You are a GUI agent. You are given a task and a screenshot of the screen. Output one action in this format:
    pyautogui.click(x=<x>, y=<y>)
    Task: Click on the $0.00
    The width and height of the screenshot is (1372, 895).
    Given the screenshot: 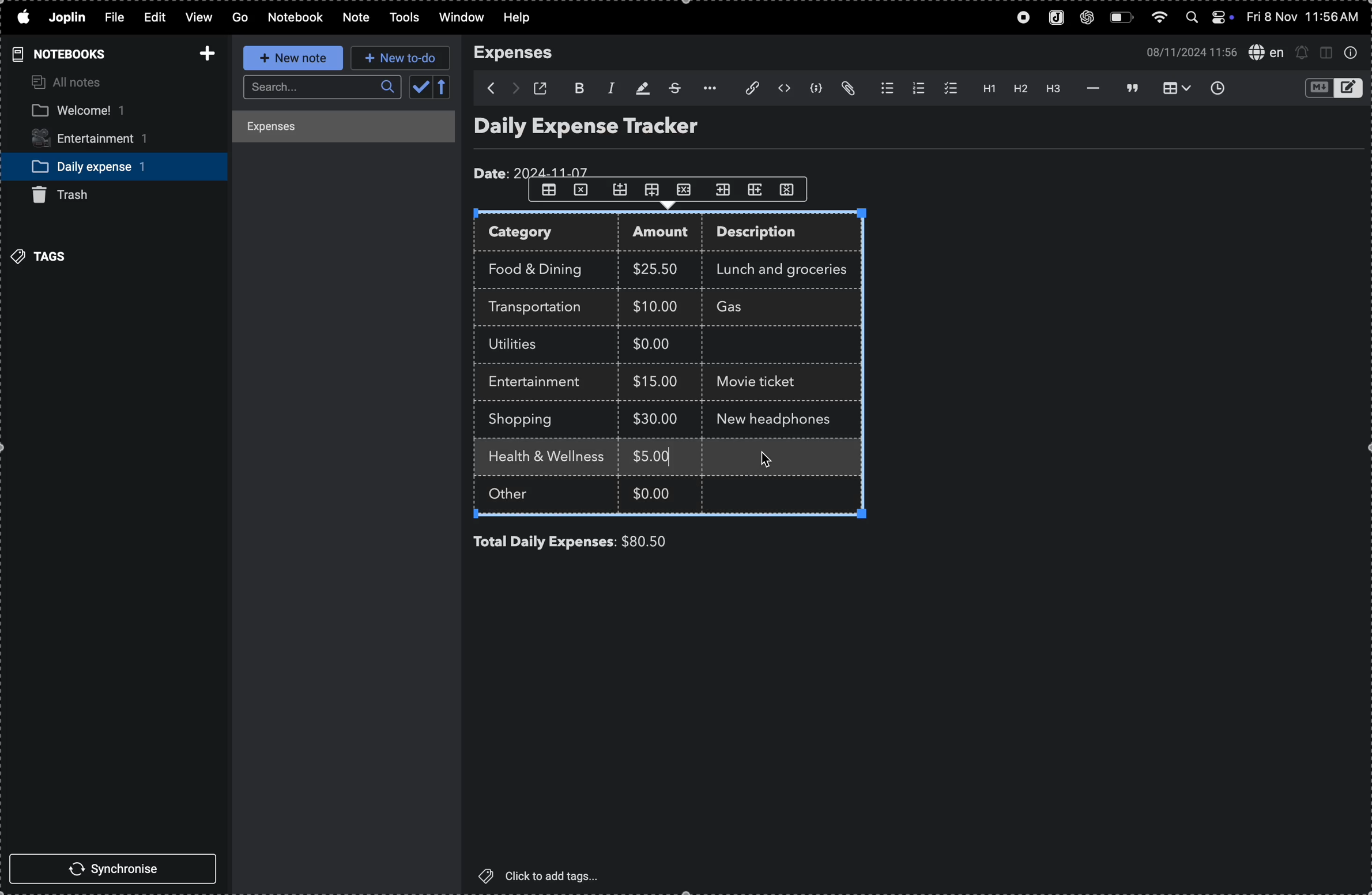 What is the action you would take?
    pyautogui.click(x=654, y=492)
    